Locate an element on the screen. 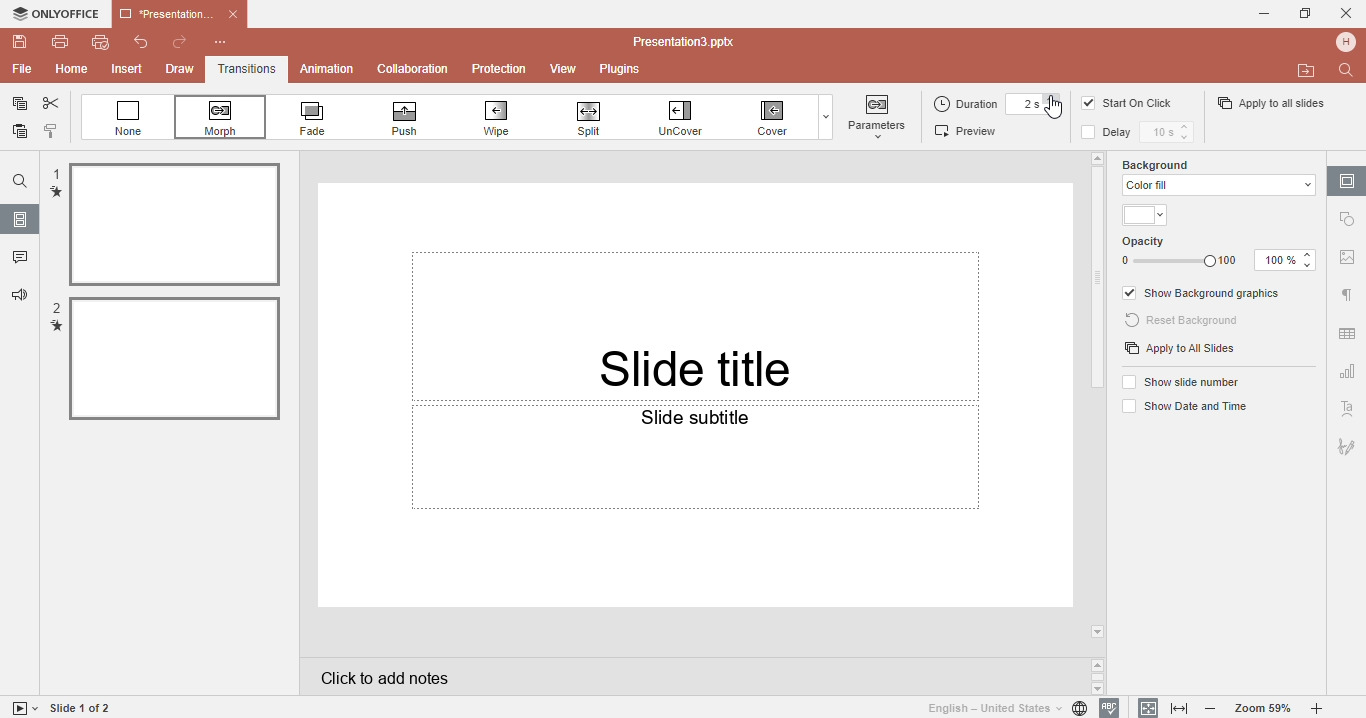  Spill is located at coordinates (597, 115).